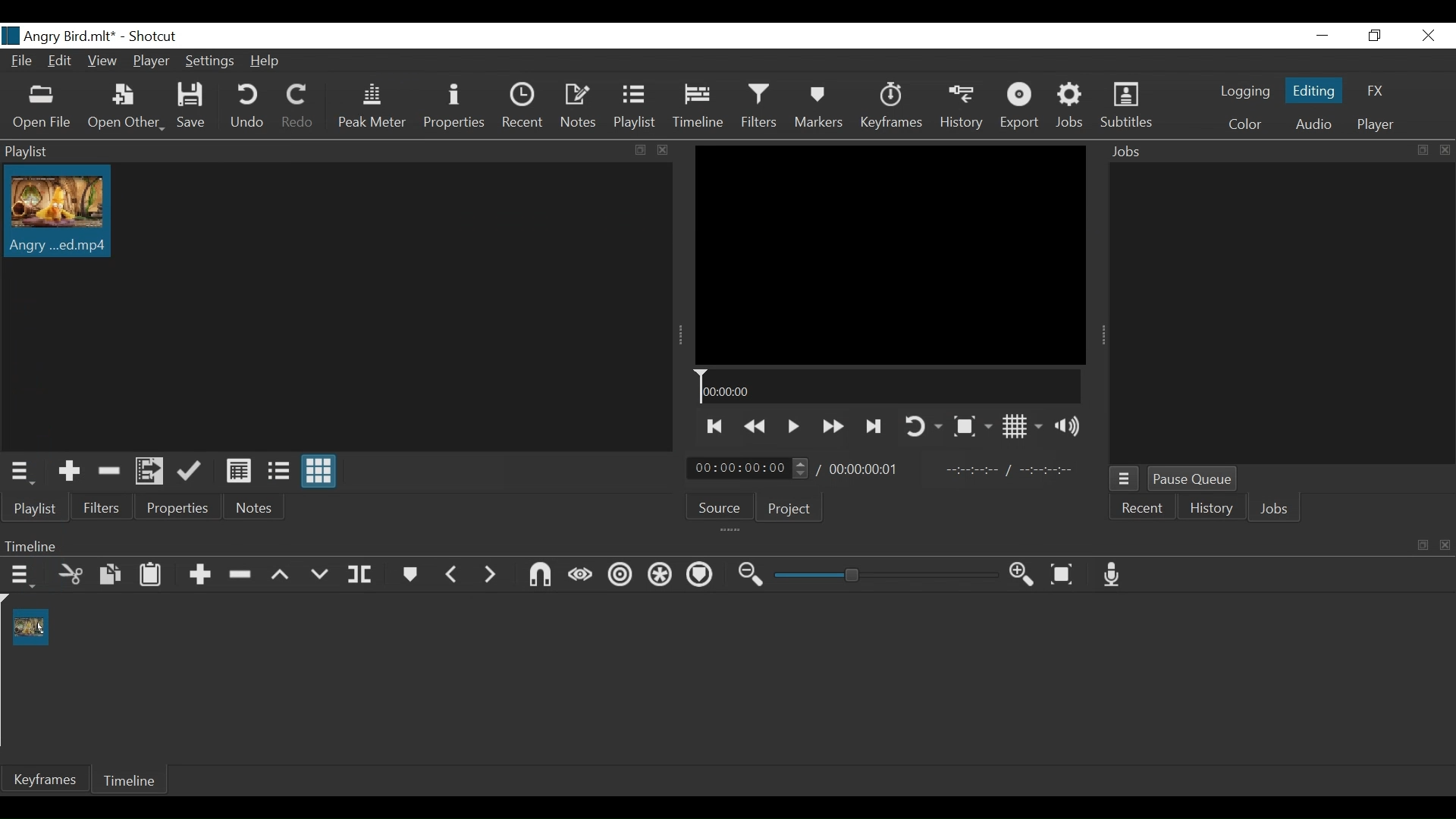 This screenshot has width=1456, height=819. I want to click on View as details, so click(238, 471).